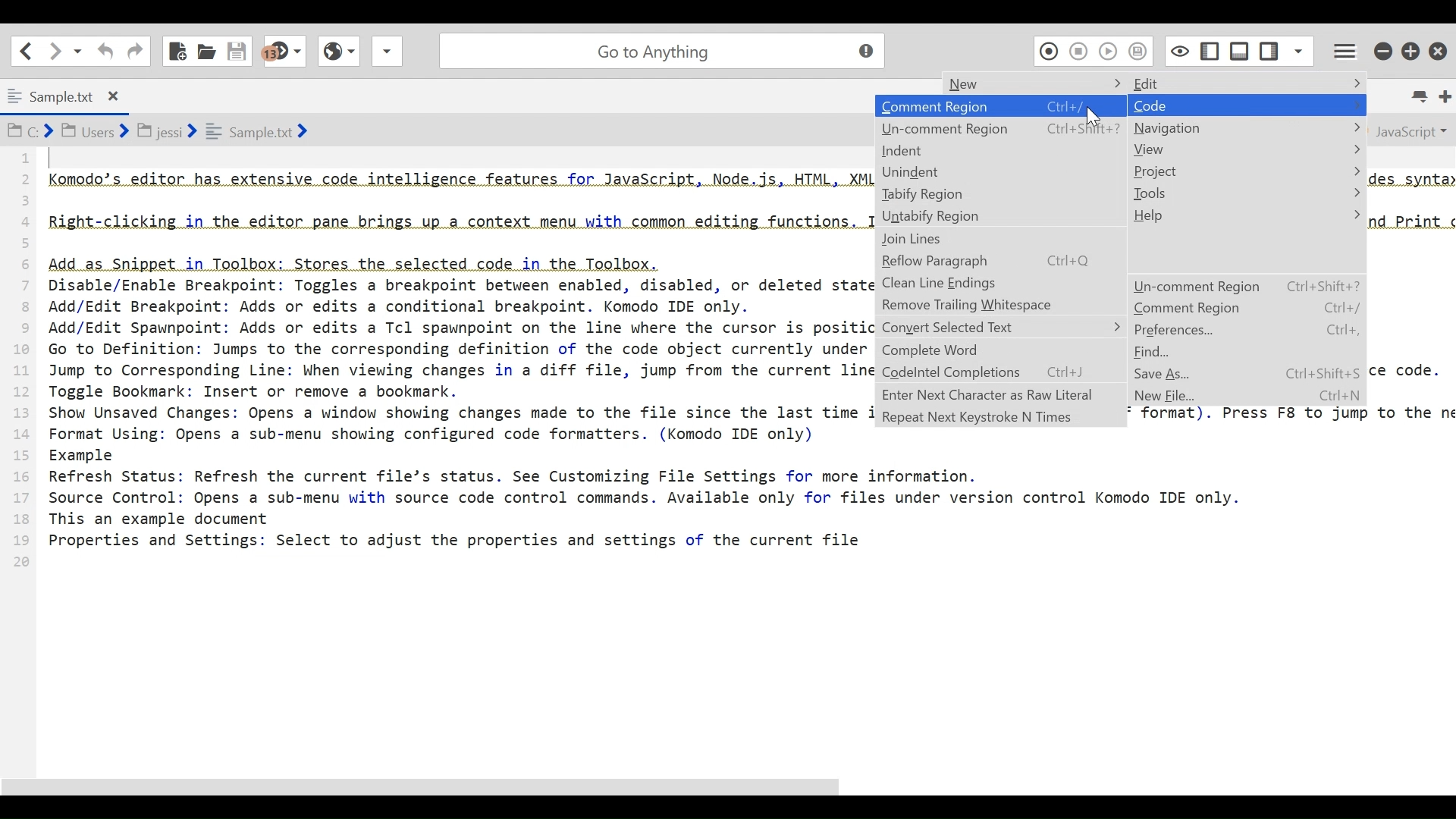 The height and width of the screenshot is (819, 1456). I want to click on Un-comment Region, so click(1000, 128).